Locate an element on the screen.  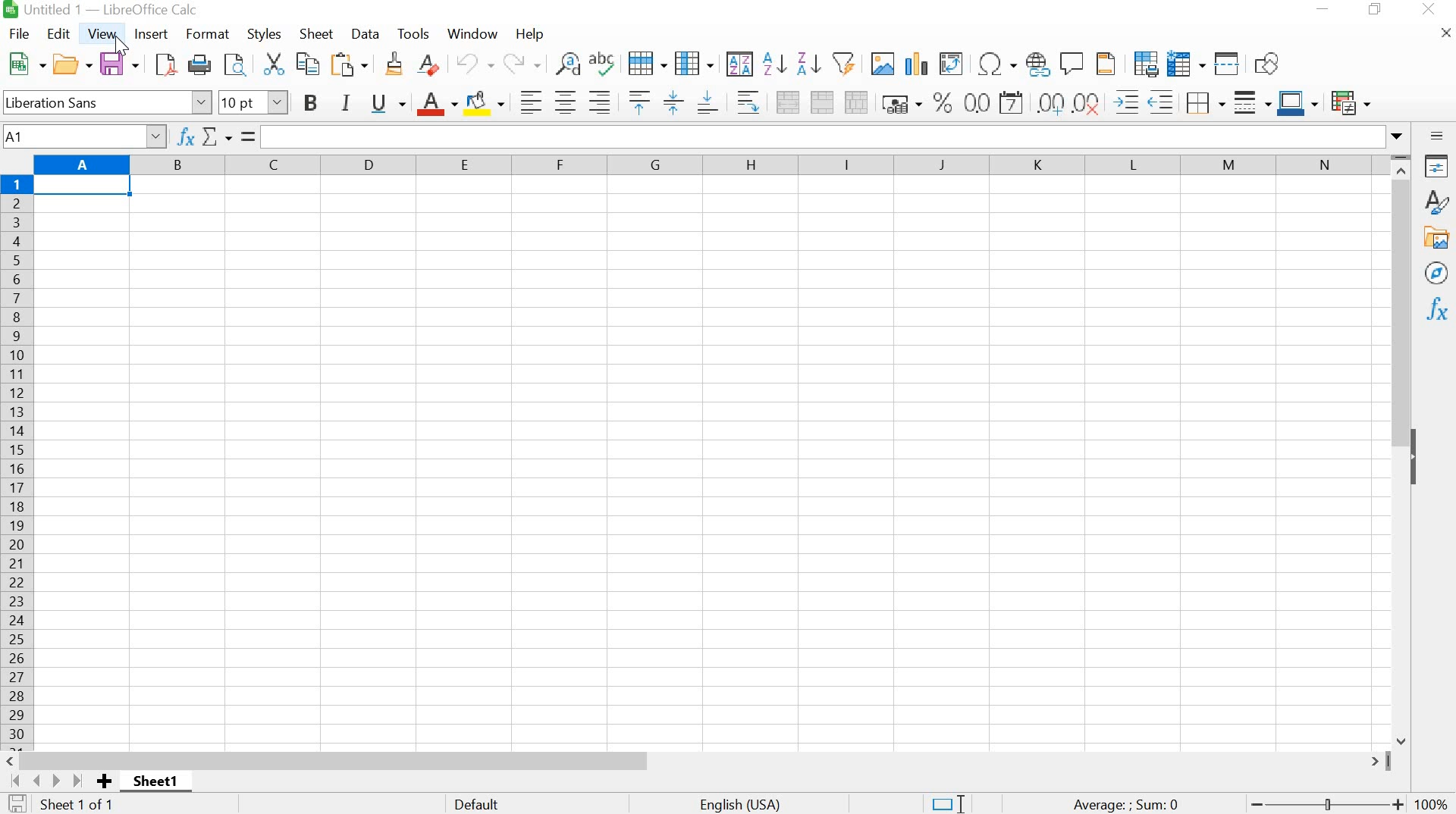
SAVE AS PDF is located at coordinates (164, 67).